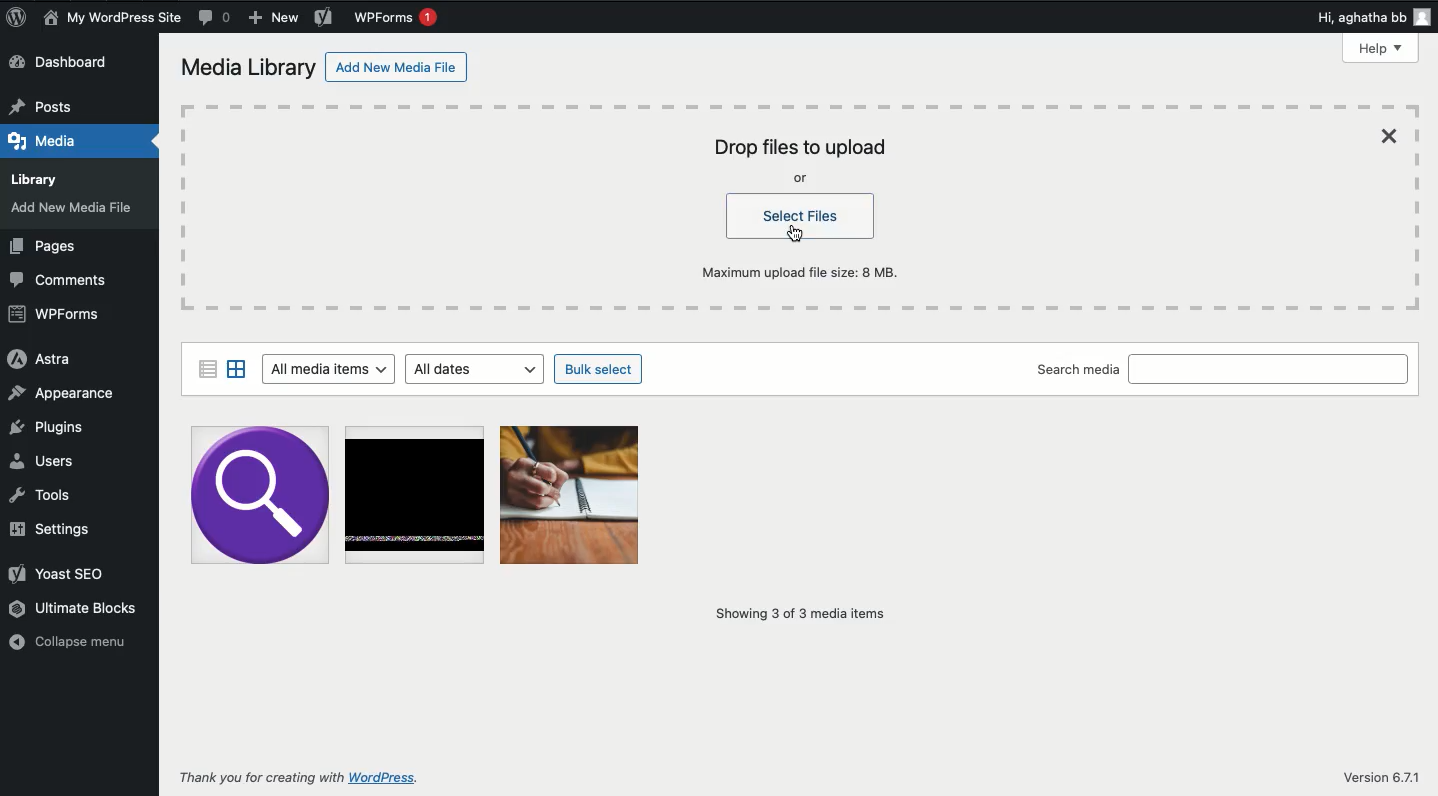 Image resolution: width=1438 pixels, height=796 pixels. Describe the element at coordinates (258, 496) in the screenshot. I see `image 1` at that location.